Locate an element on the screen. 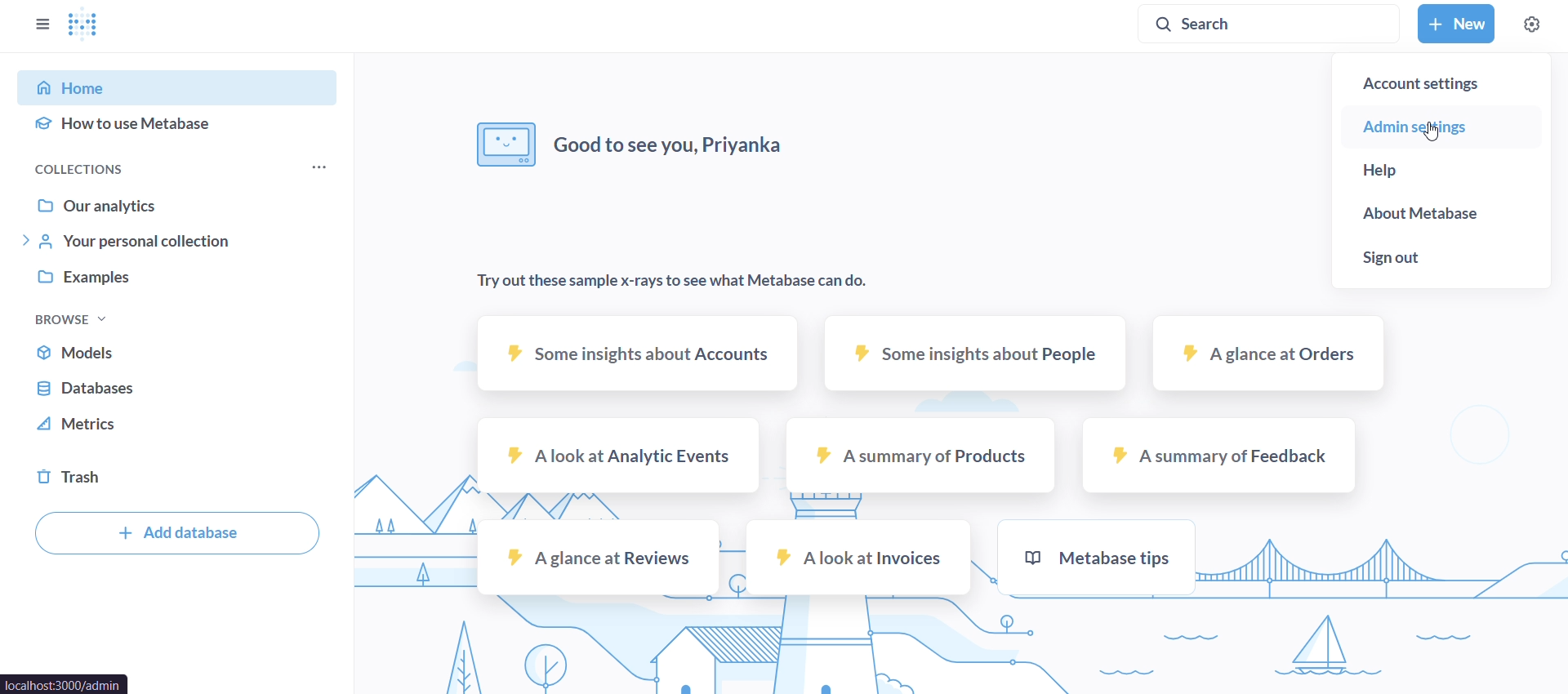 This screenshot has width=1568, height=694. new is located at coordinates (1455, 23).